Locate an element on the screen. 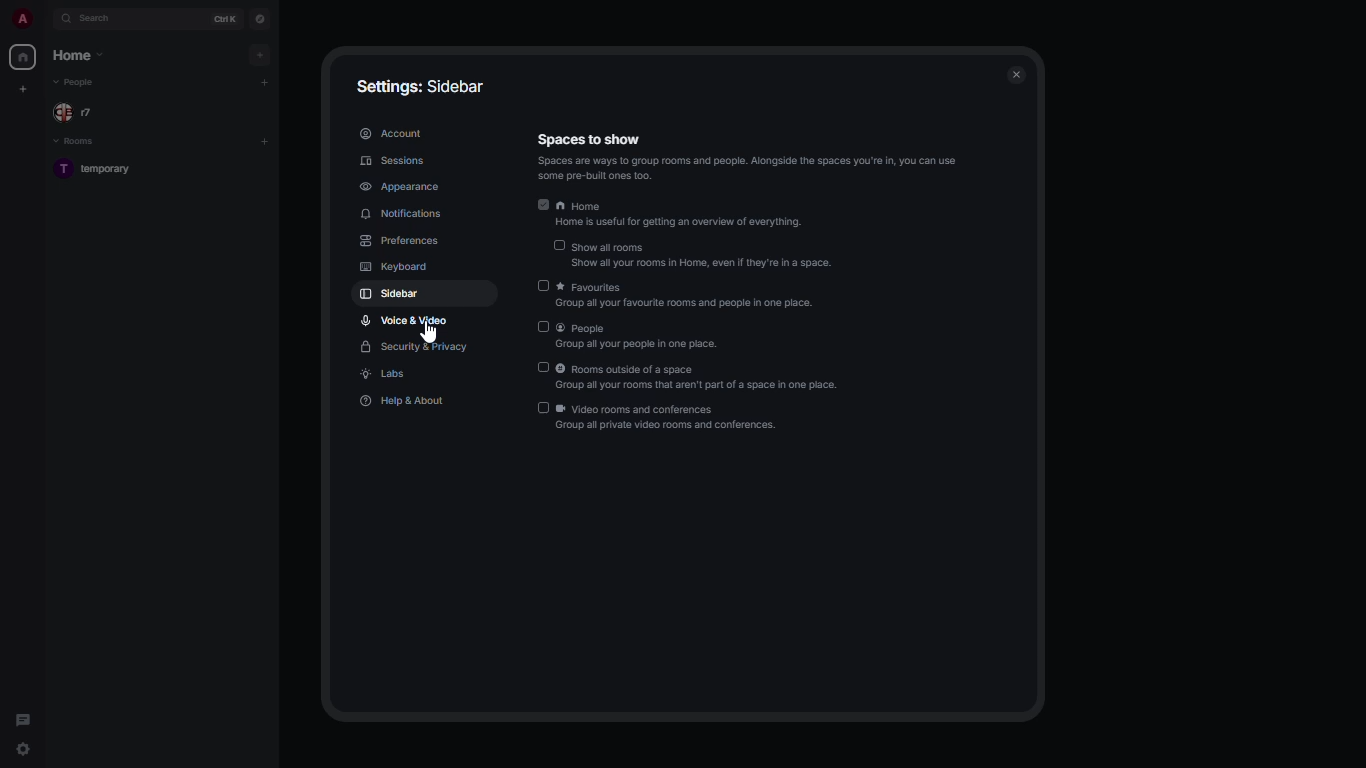  keyboard is located at coordinates (396, 268).